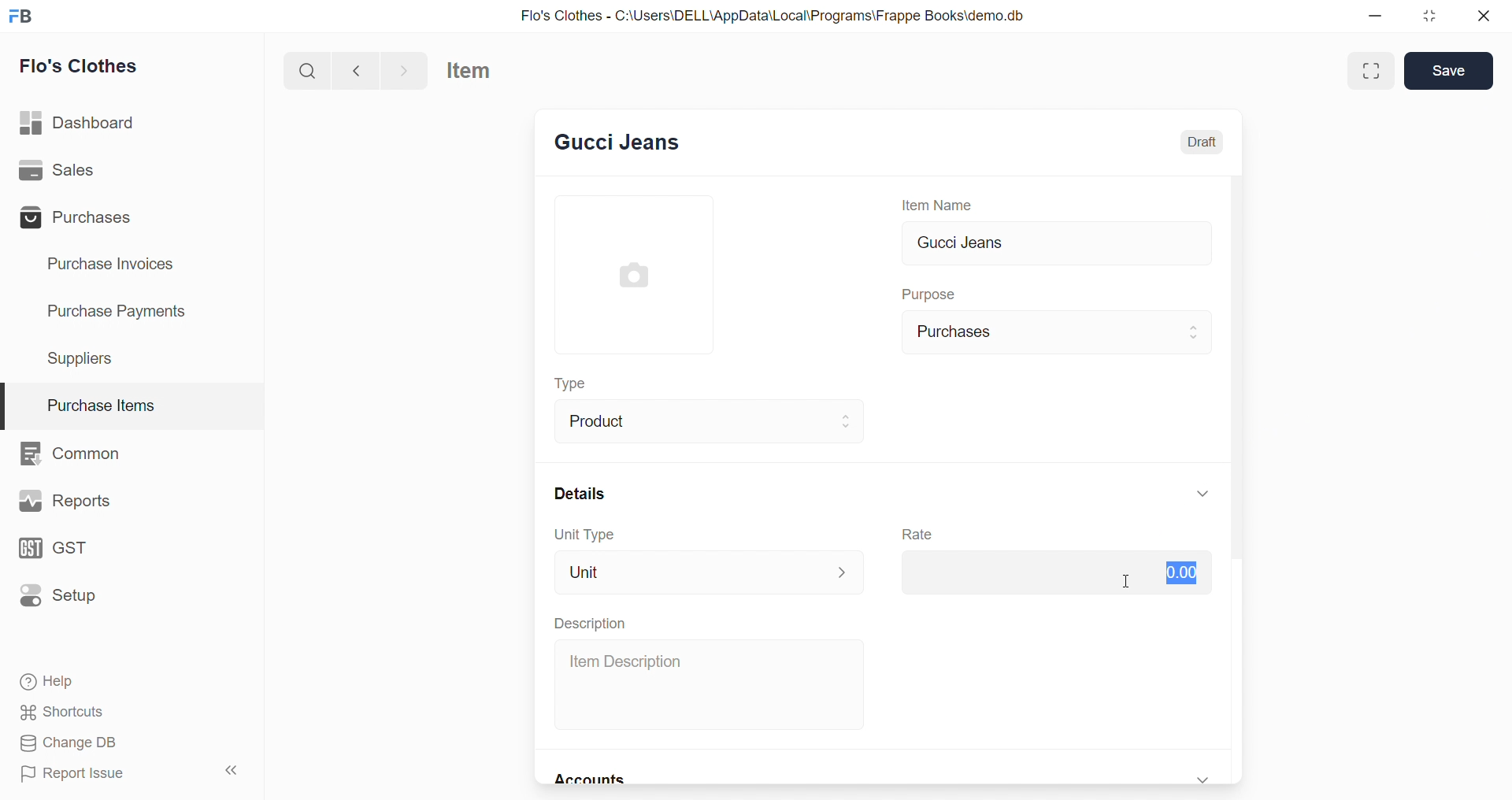  I want to click on image, so click(637, 275).